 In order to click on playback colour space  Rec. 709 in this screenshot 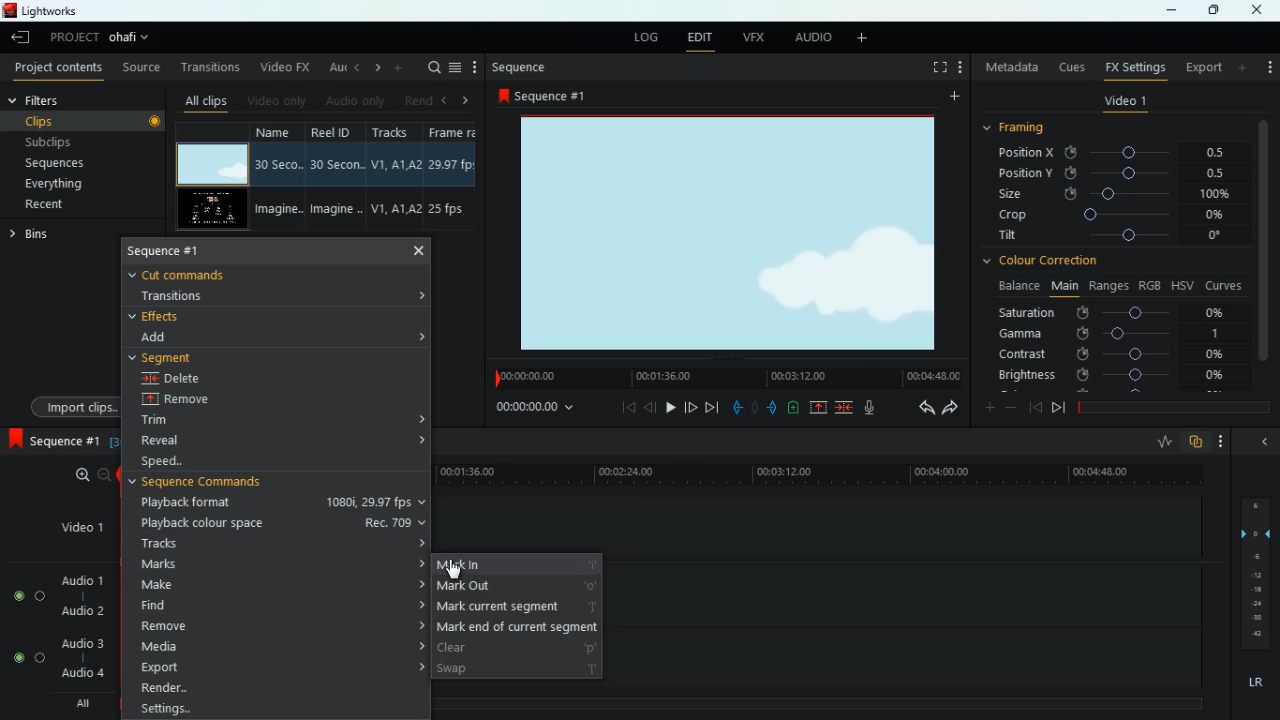, I will do `click(284, 523)`.